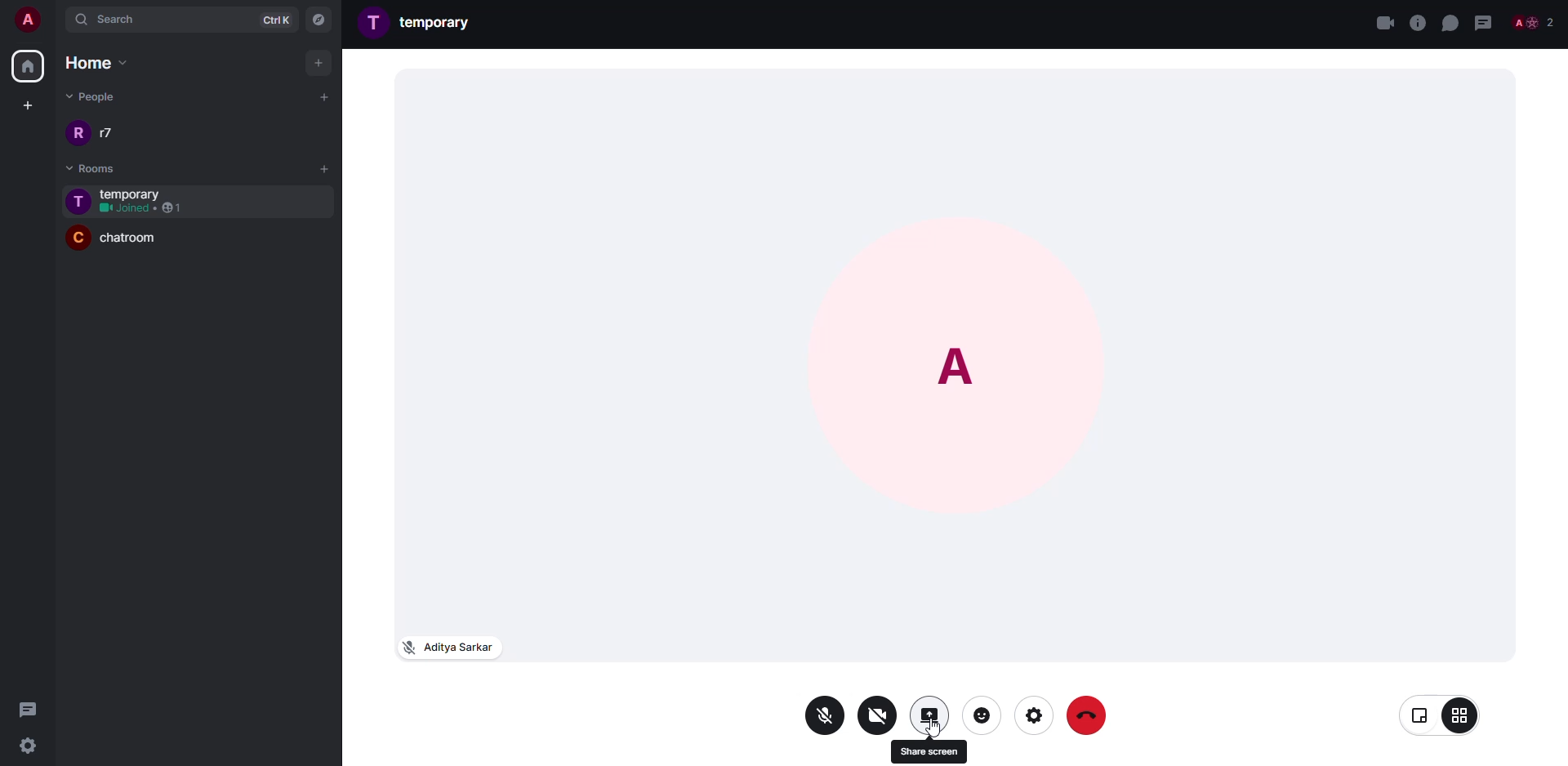 This screenshot has height=766, width=1568. I want to click on voice call, so click(1417, 23).